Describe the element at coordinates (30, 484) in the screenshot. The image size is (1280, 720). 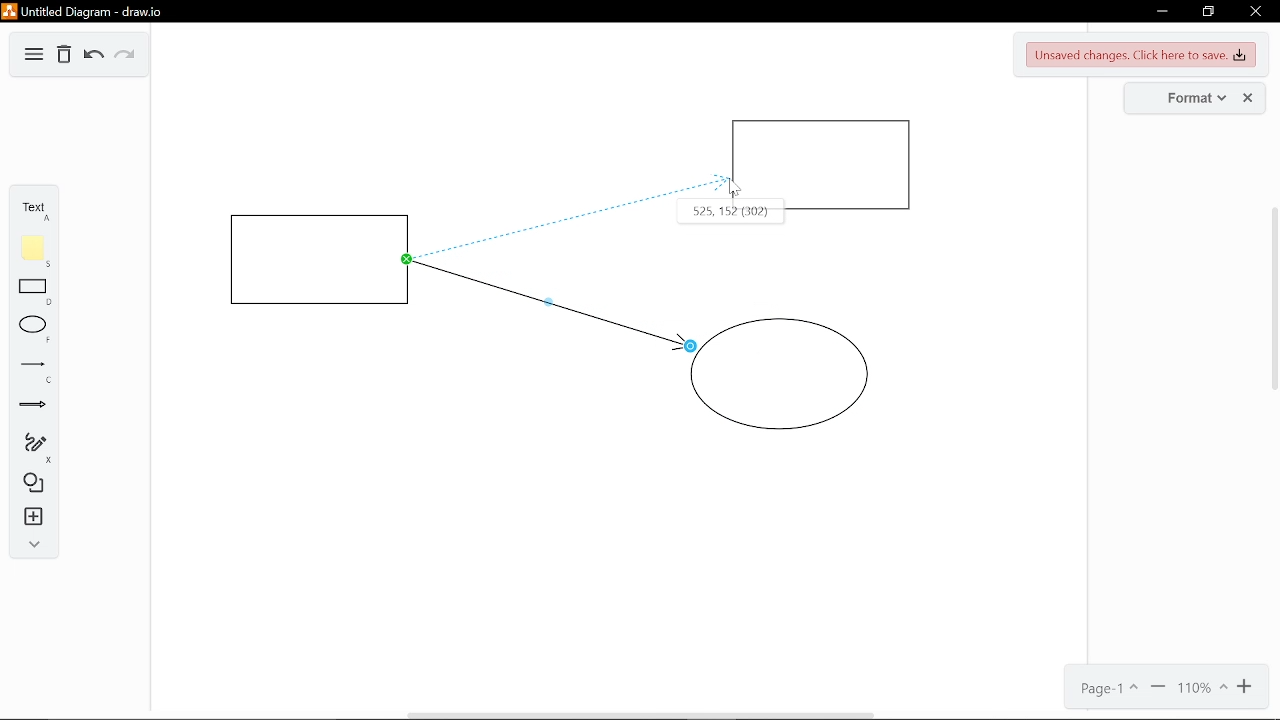
I see `Shapes` at that location.